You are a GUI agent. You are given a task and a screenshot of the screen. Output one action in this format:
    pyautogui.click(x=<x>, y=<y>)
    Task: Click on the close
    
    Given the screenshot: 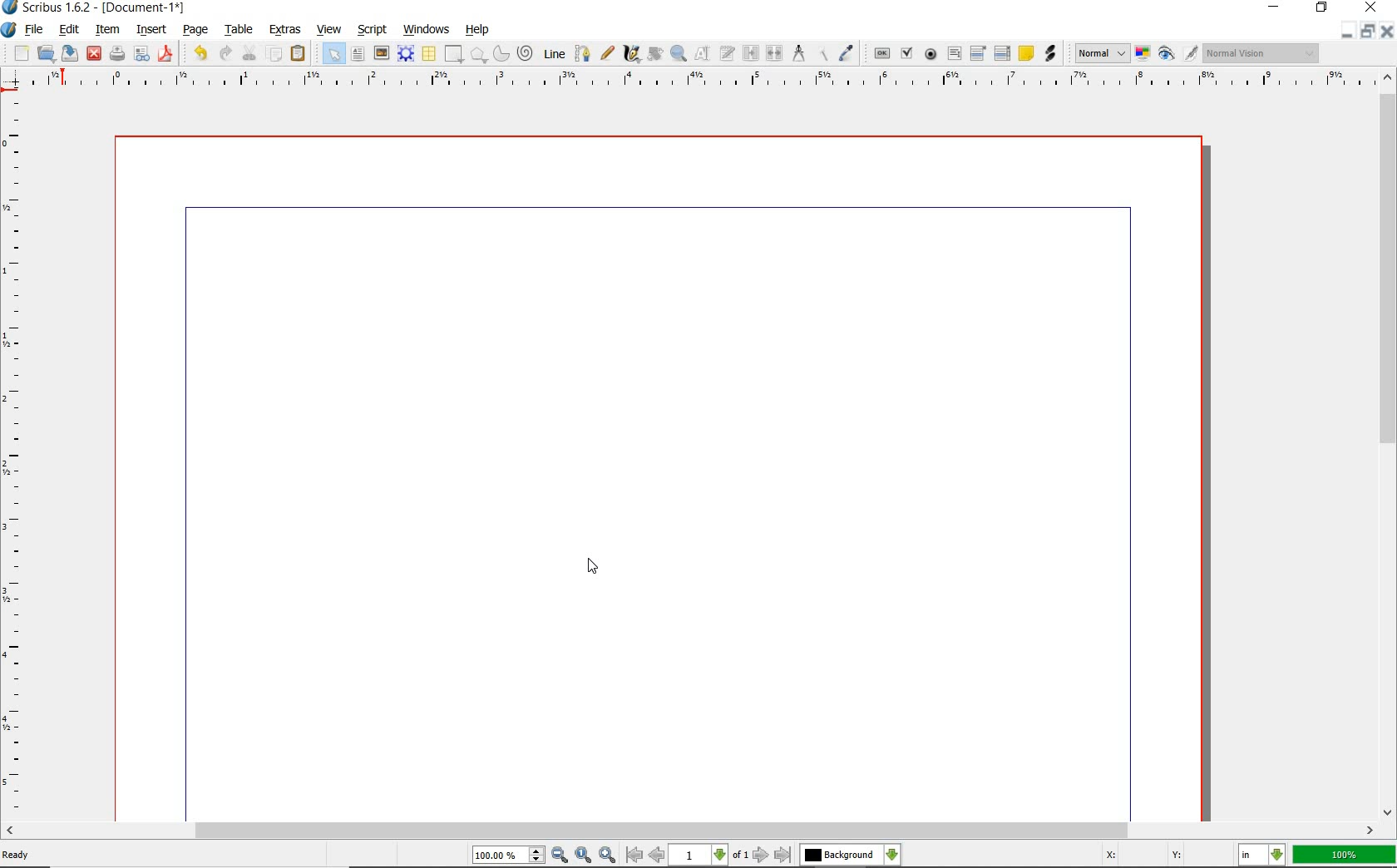 What is the action you would take?
    pyautogui.click(x=1371, y=8)
    